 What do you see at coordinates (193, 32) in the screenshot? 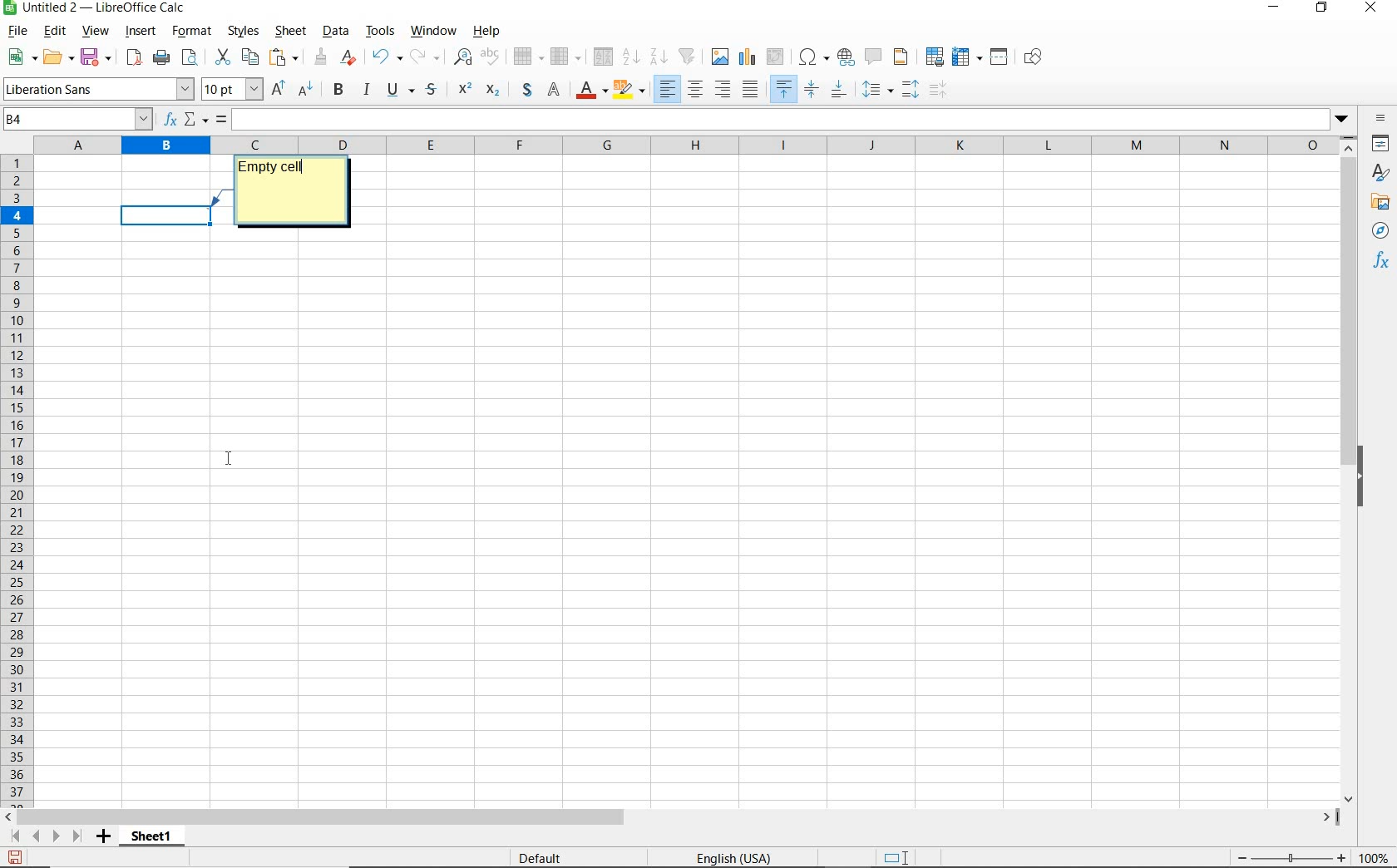
I see `format` at bounding box center [193, 32].